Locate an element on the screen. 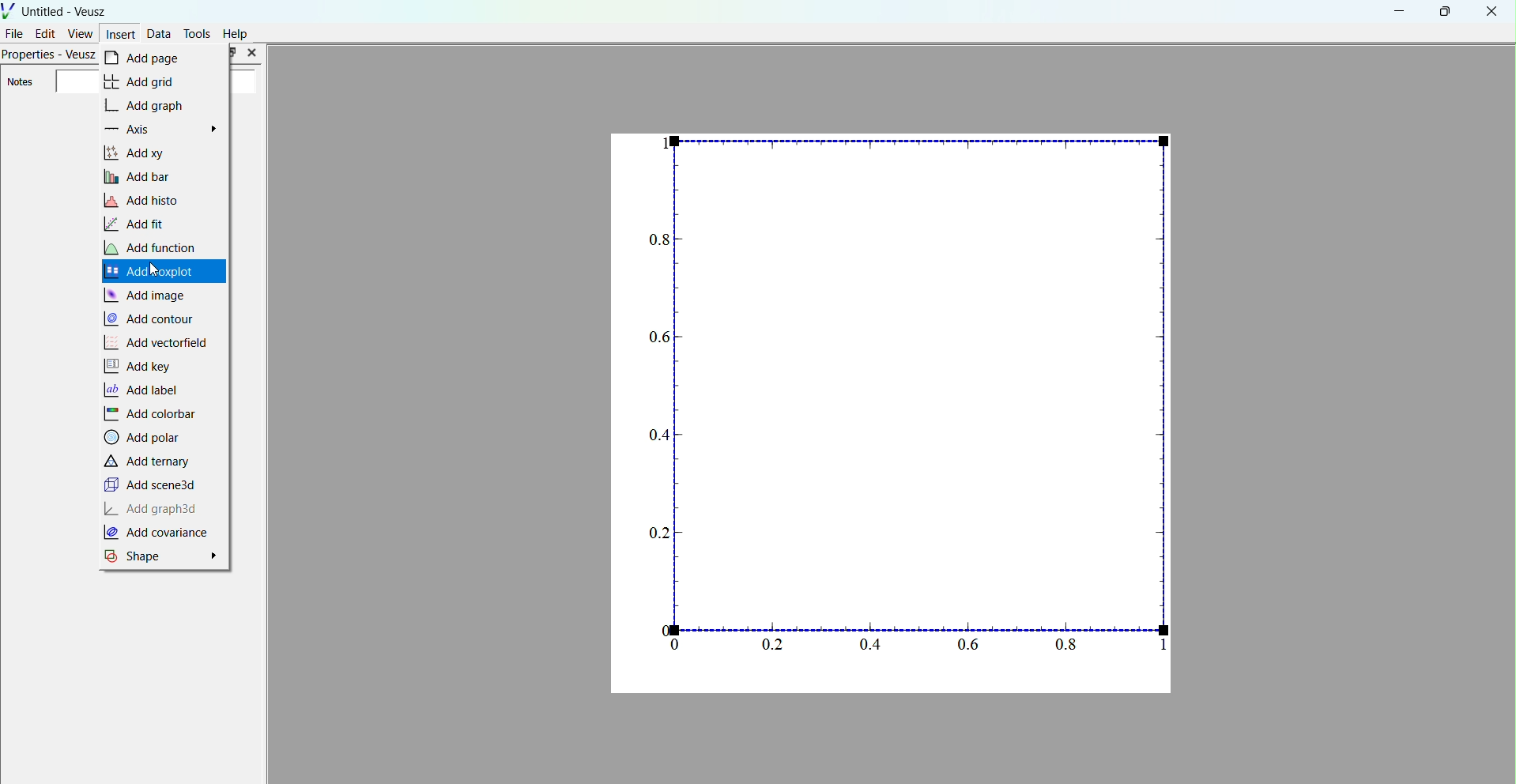 Image resolution: width=1516 pixels, height=784 pixels. Data is located at coordinates (159, 33).